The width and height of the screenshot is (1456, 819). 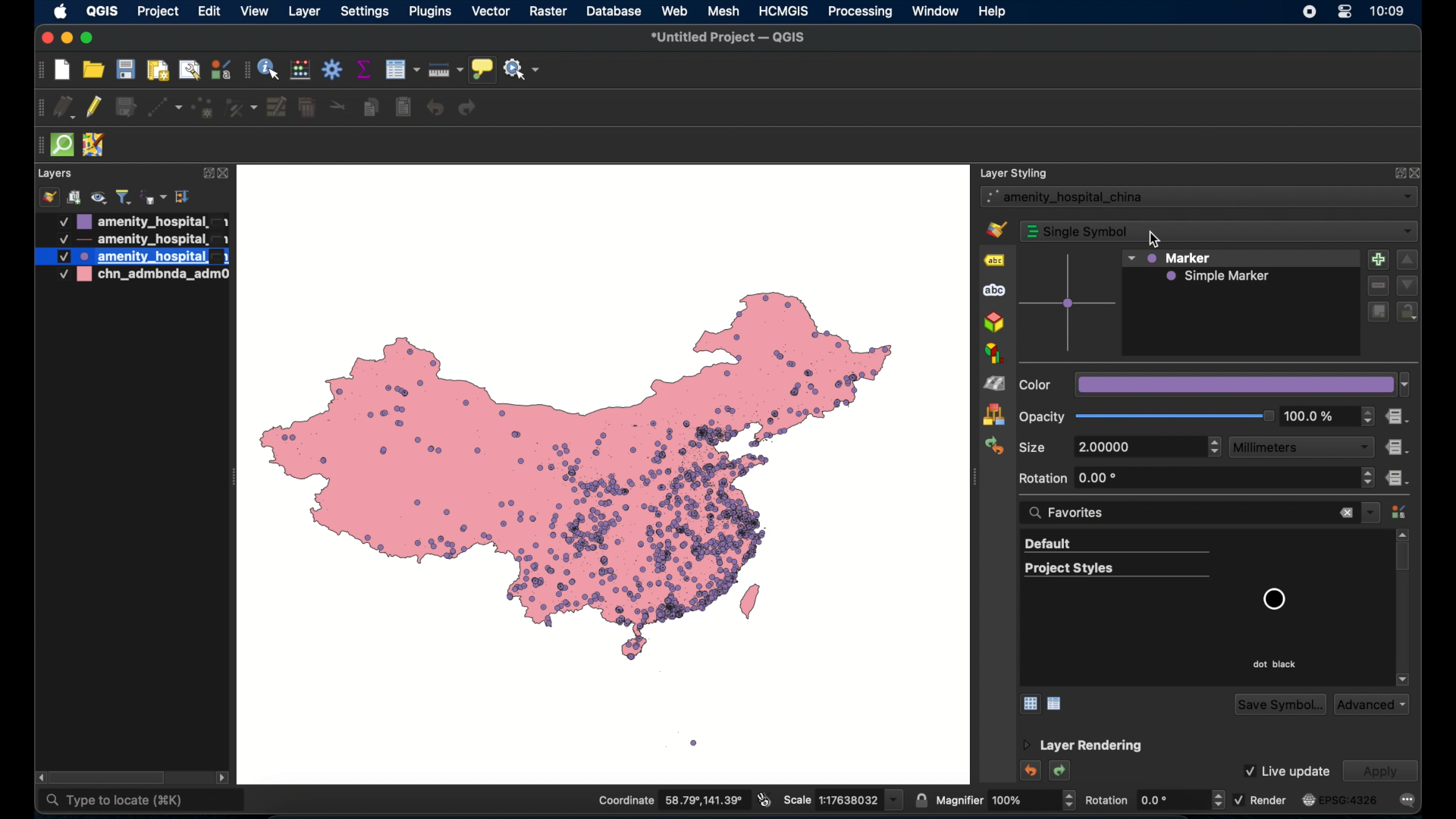 What do you see at coordinates (993, 447) in the screenshot?
I see `history` at bounding box center [993, 447].